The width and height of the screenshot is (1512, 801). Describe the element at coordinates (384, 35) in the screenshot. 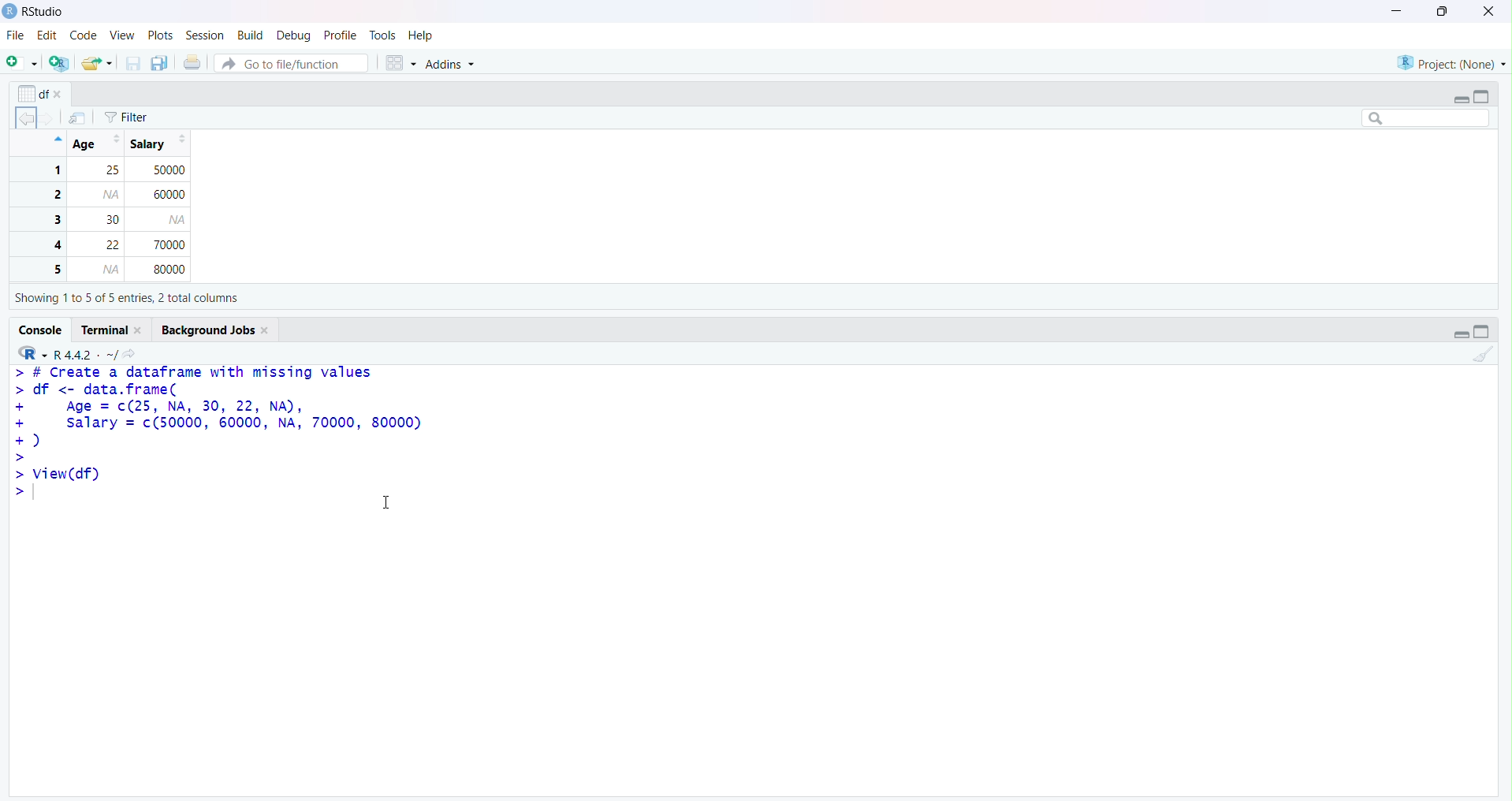

I see `Tools` at that location.